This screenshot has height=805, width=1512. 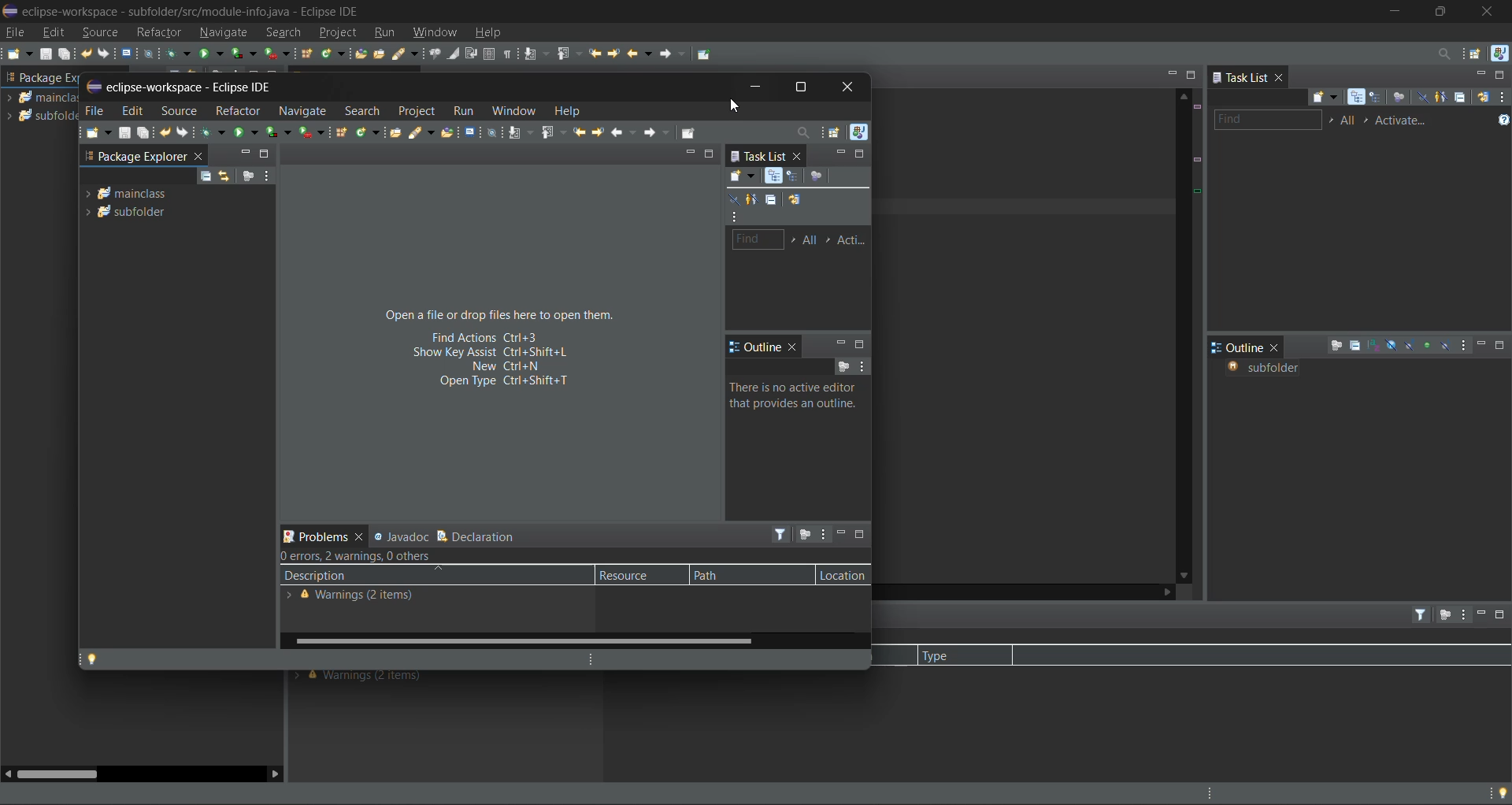 What do you see at coordinates (270, 177) in the screenshot?
I see `view menu` at bounding box center [270, 177].